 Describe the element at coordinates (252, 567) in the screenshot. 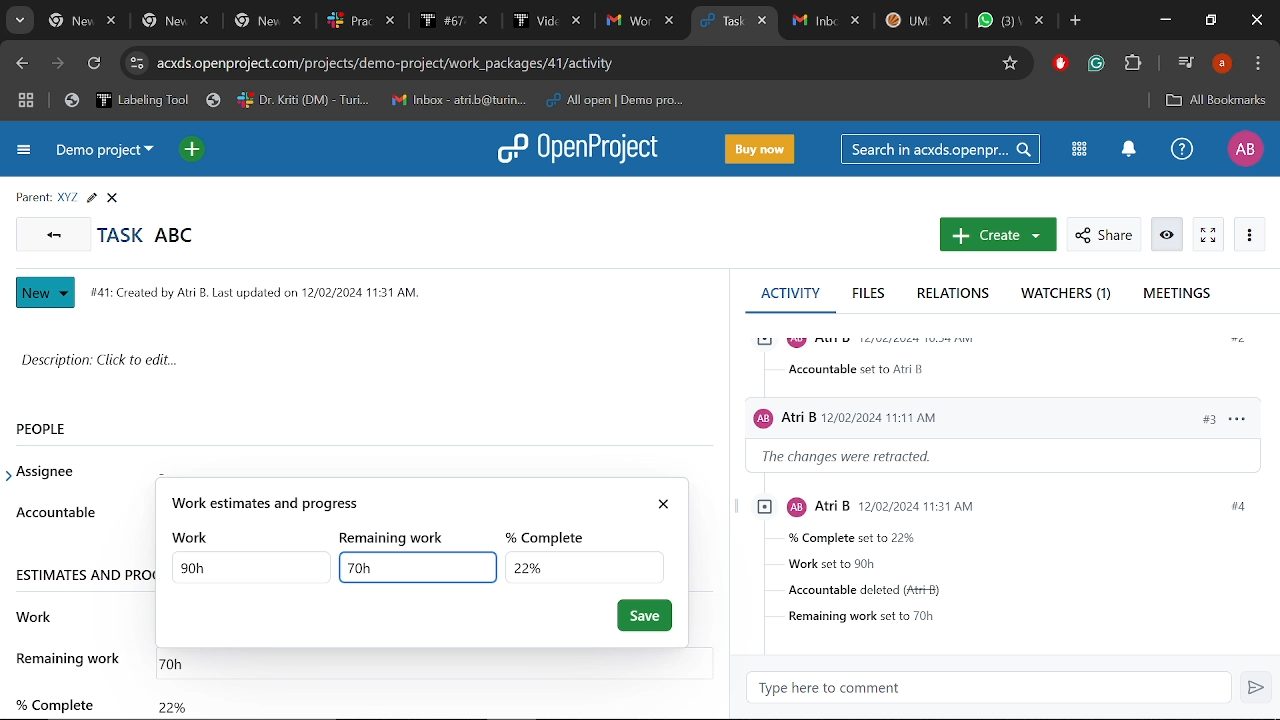

I see `TOtal work` at that location.